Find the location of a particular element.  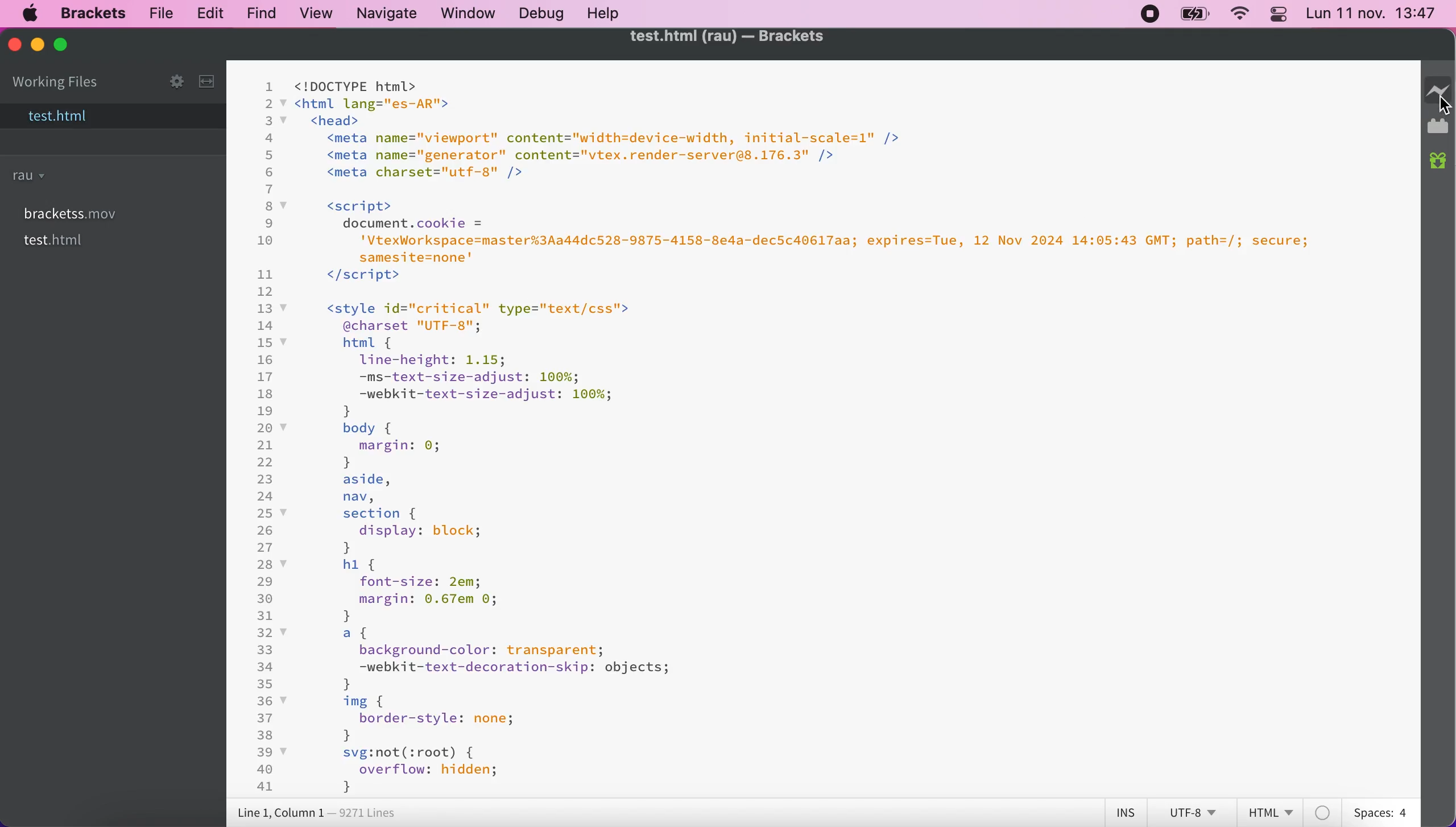

lines and columns is located at coordinates (326, 813).